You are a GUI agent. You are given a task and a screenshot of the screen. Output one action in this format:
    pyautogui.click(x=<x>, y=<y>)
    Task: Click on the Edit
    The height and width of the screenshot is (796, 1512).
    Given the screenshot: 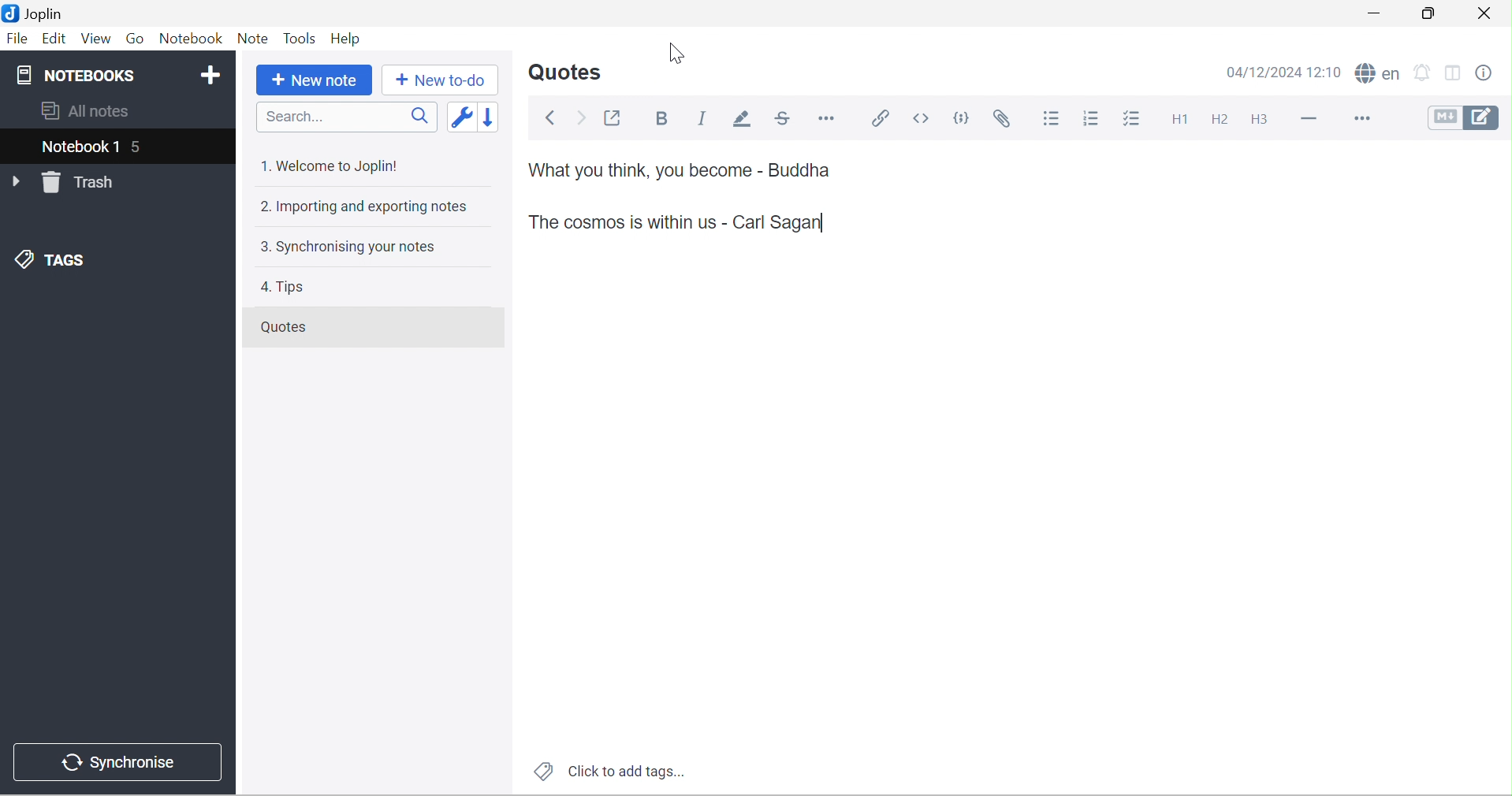 What is the action you would take?
    pyautogui.click(x=54, y=40)
    